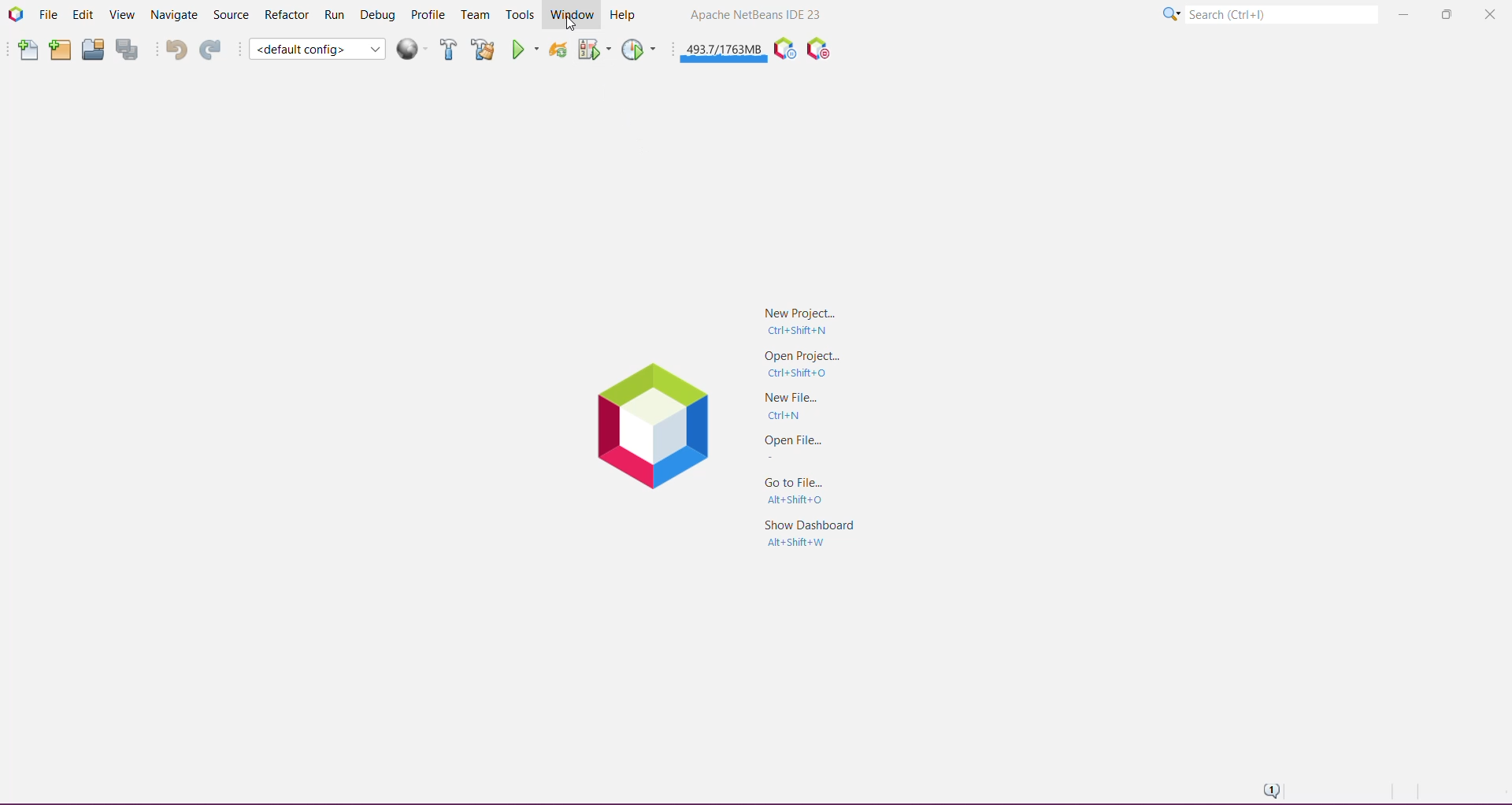 The width and height of the screenshot is (1512, 805). Describe the element at coordinates (519, 16) in the screenshot. I see `Tools` at that location.